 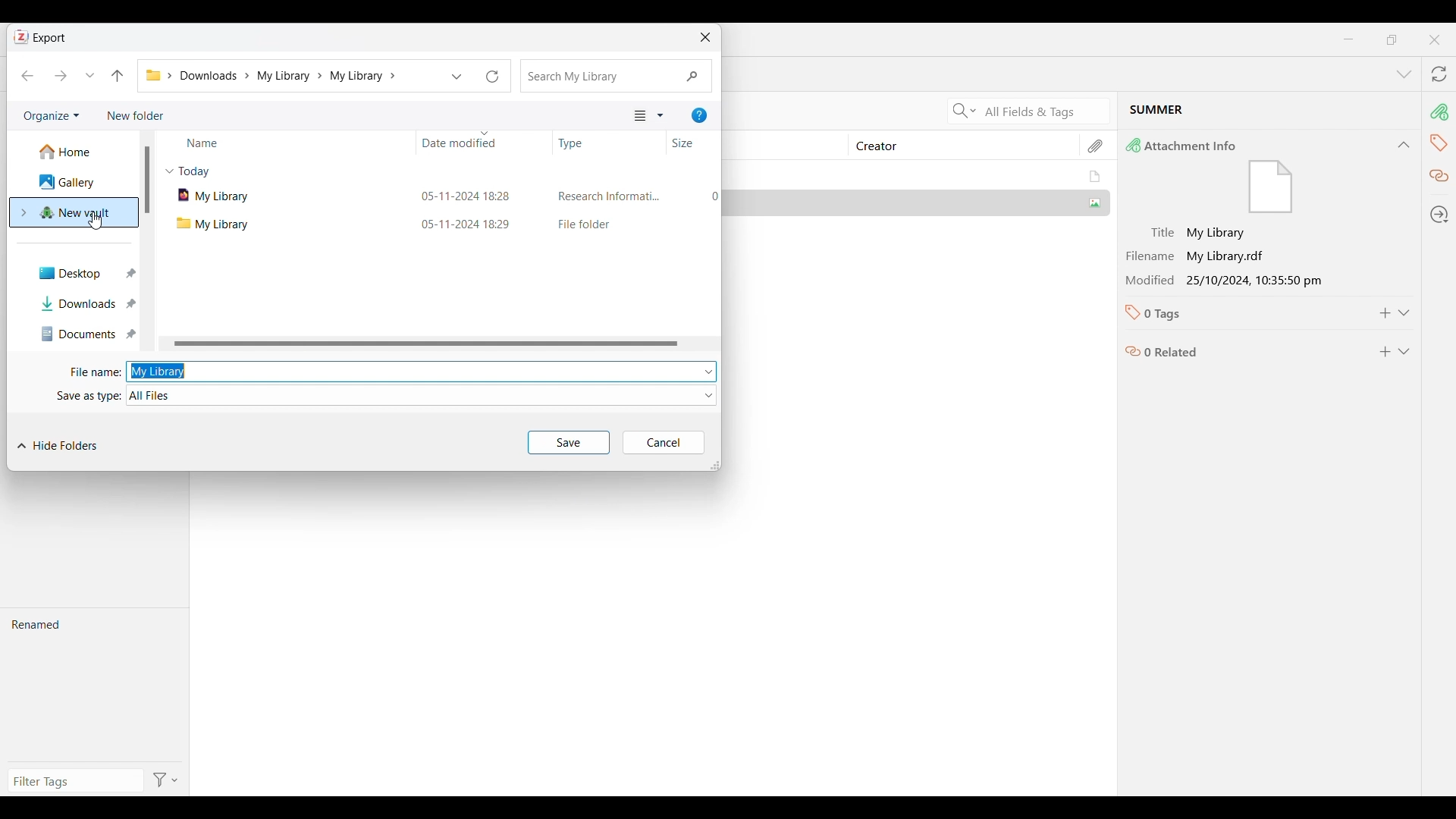 I want to click on My library, so click(x=409, y=372).